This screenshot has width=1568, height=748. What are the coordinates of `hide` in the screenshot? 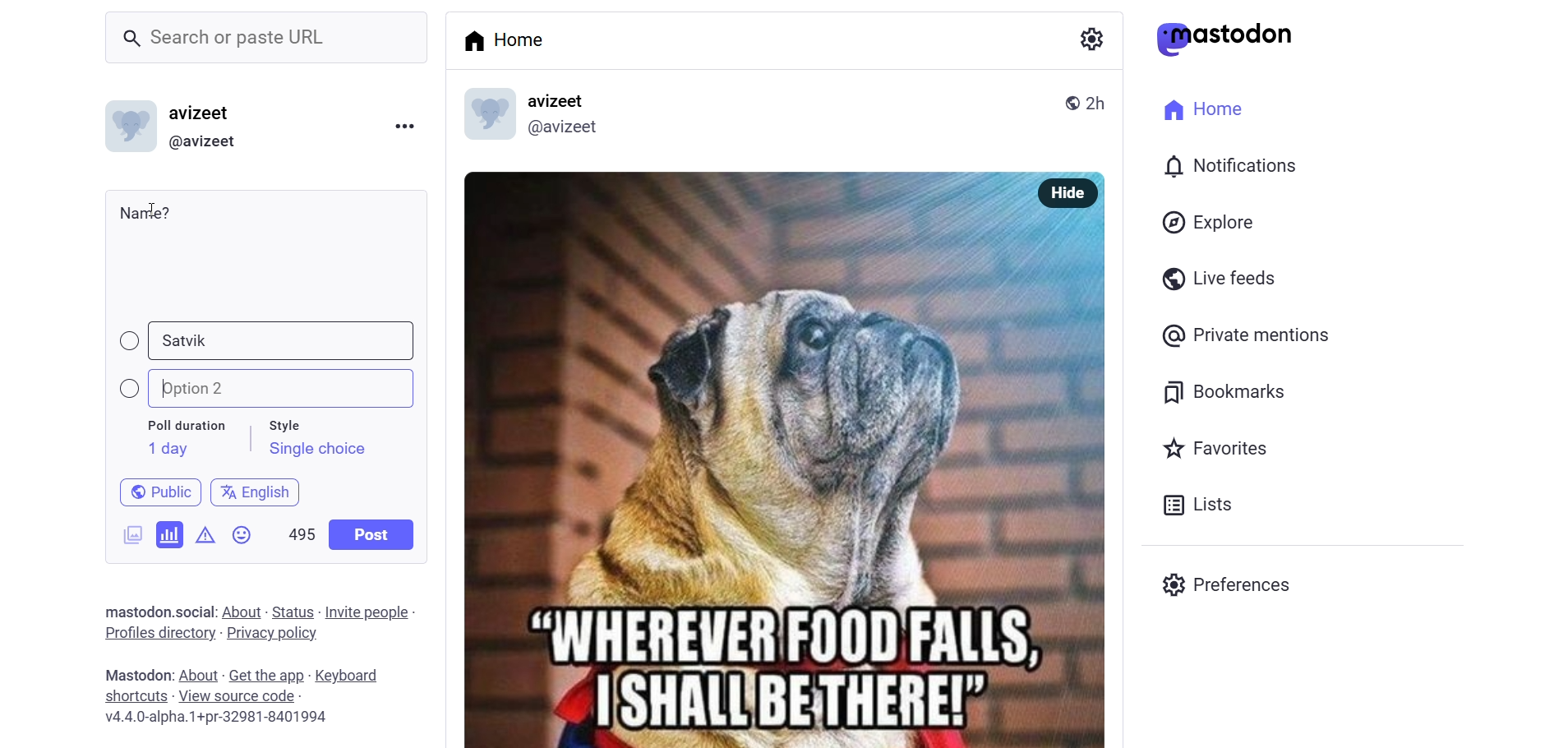 It's located at (1063, 193).